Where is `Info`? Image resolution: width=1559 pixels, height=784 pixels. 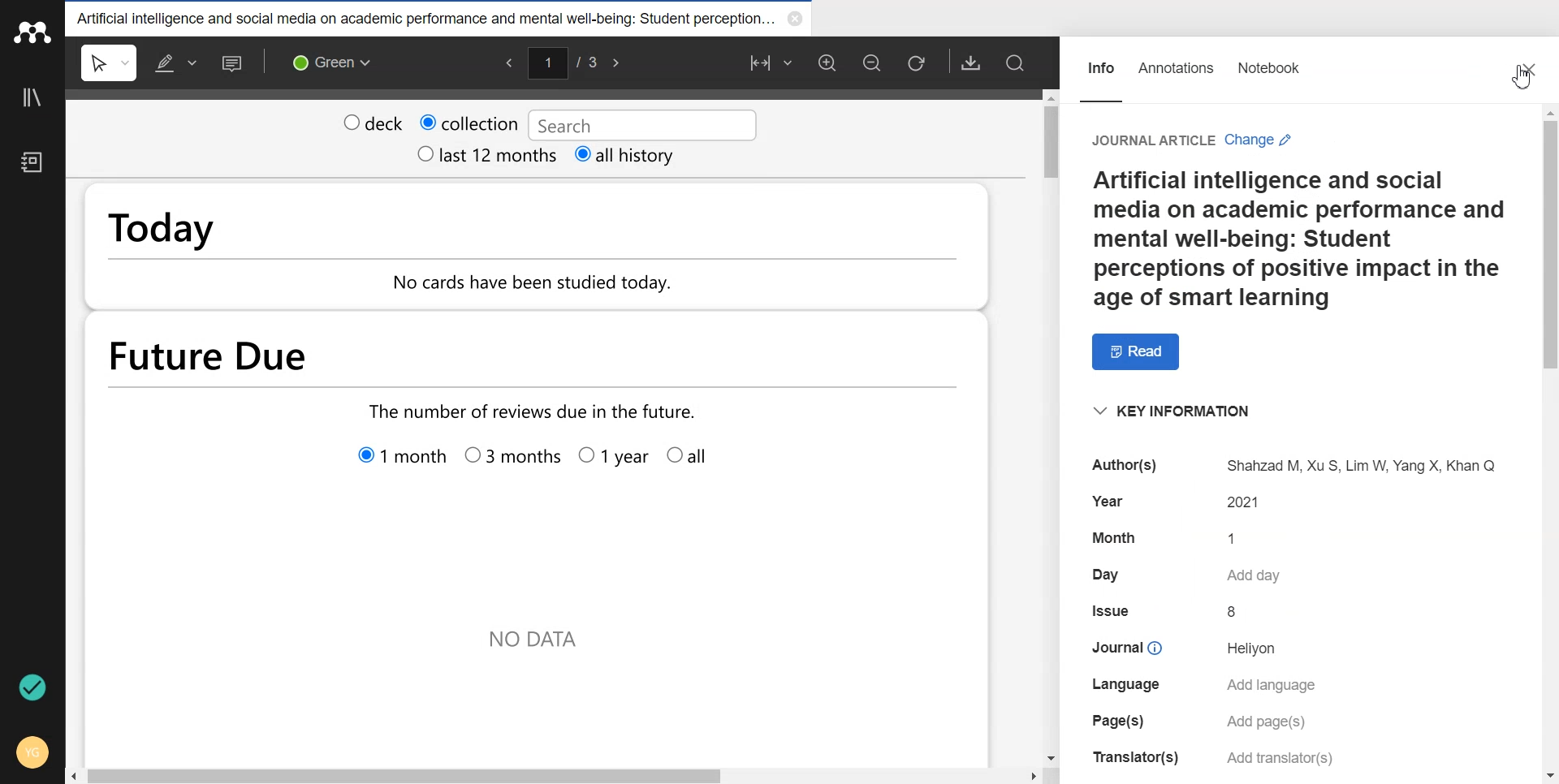
Info is located at coordinates (1101, 62).